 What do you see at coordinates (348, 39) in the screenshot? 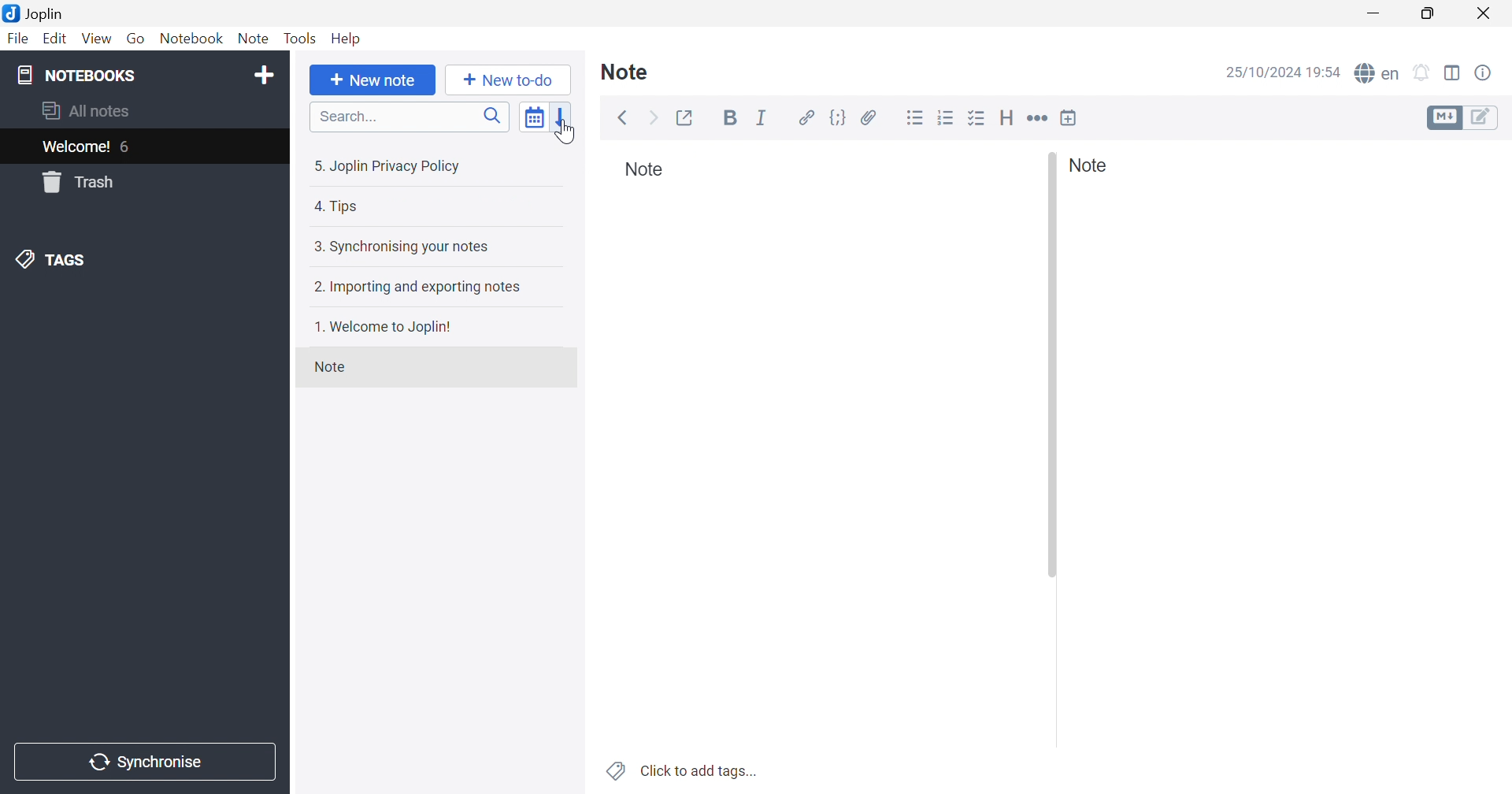
I see `Help` at bounding box center [348, 39].